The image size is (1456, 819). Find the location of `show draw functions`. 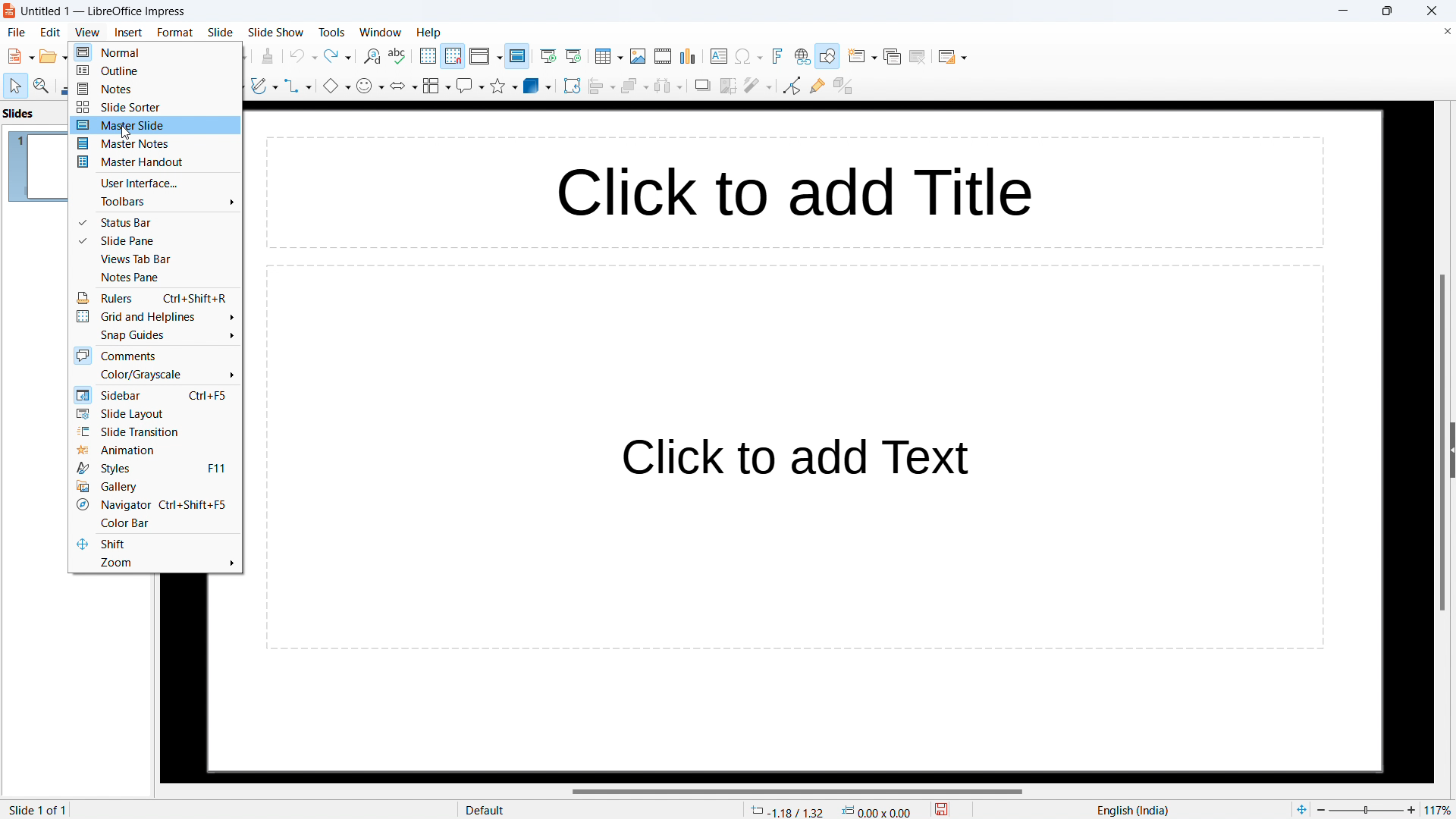

show draw functions is located at coordinates (828, 56).